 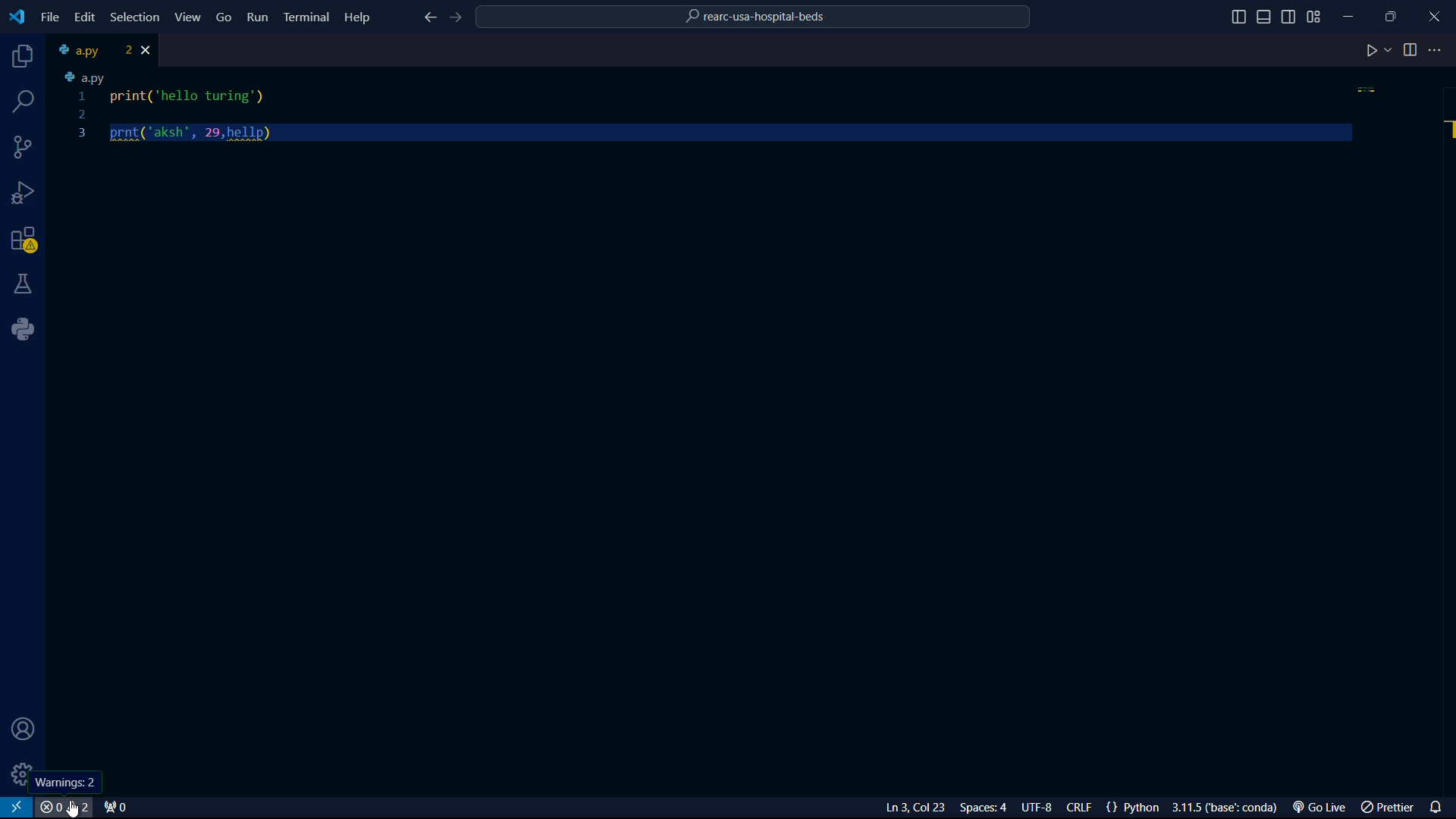 What do you see at coordinates (1439, 805) in the screenshot?
I see `notifications` at bounding box center [1439, 805].